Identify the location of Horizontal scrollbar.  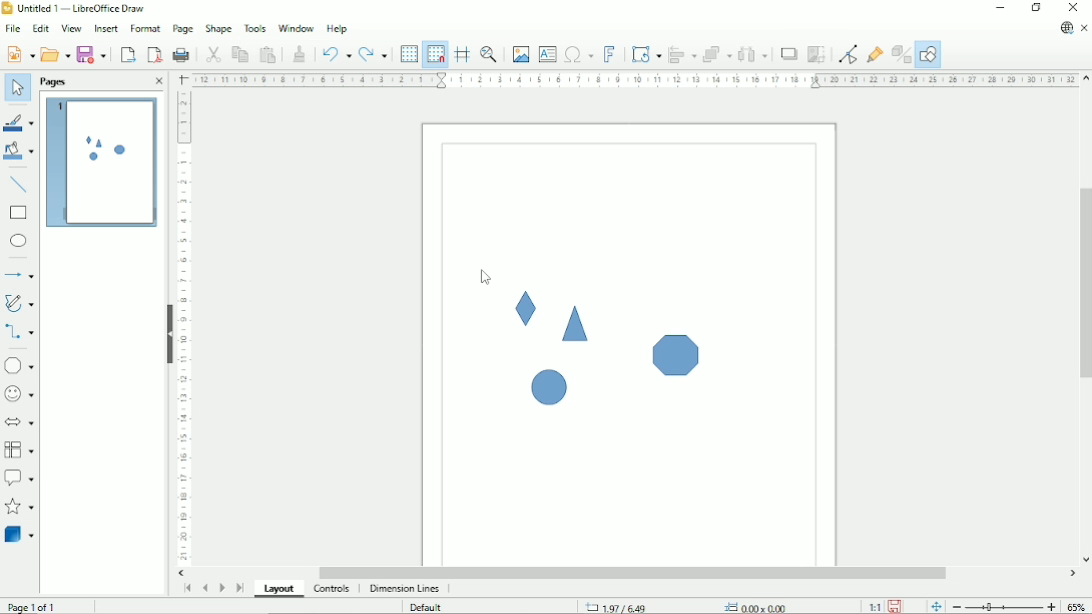
(635, 572).